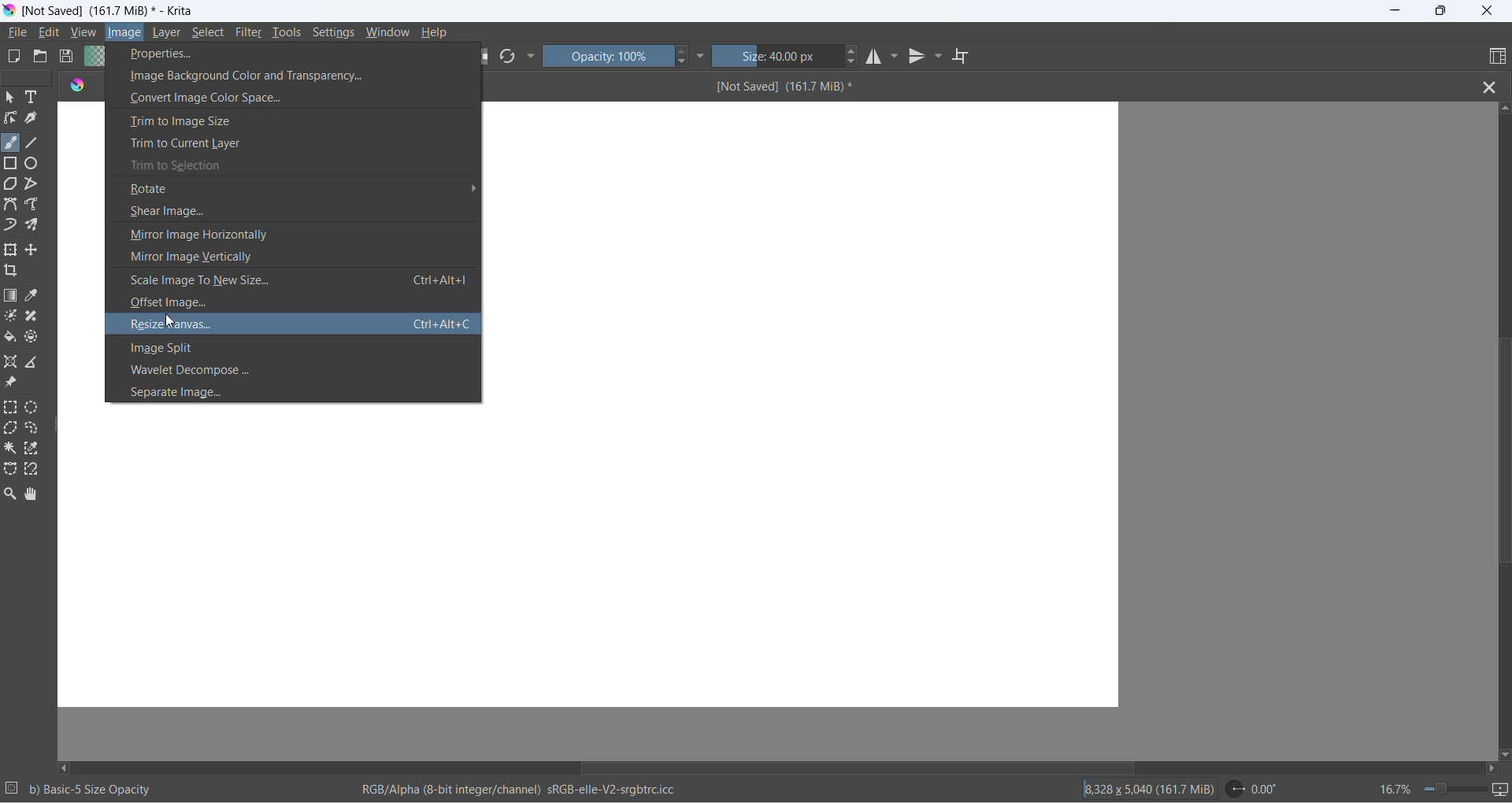 The height and width of the screenshot is (803, 1512). I want to click on zoom percentage, so click(1394, 787).